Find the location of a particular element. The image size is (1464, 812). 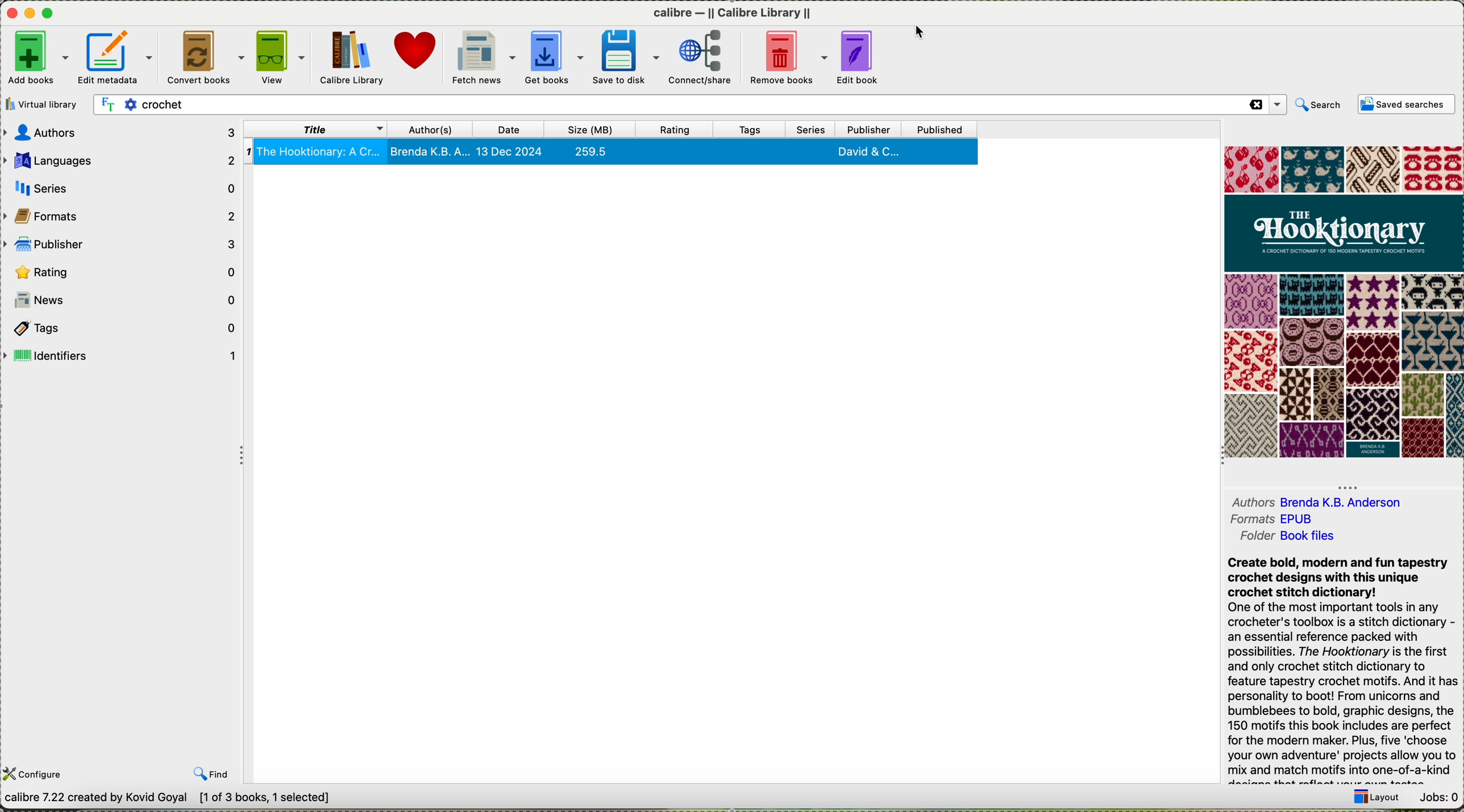

259.5 is located at coordinates (598, 151).